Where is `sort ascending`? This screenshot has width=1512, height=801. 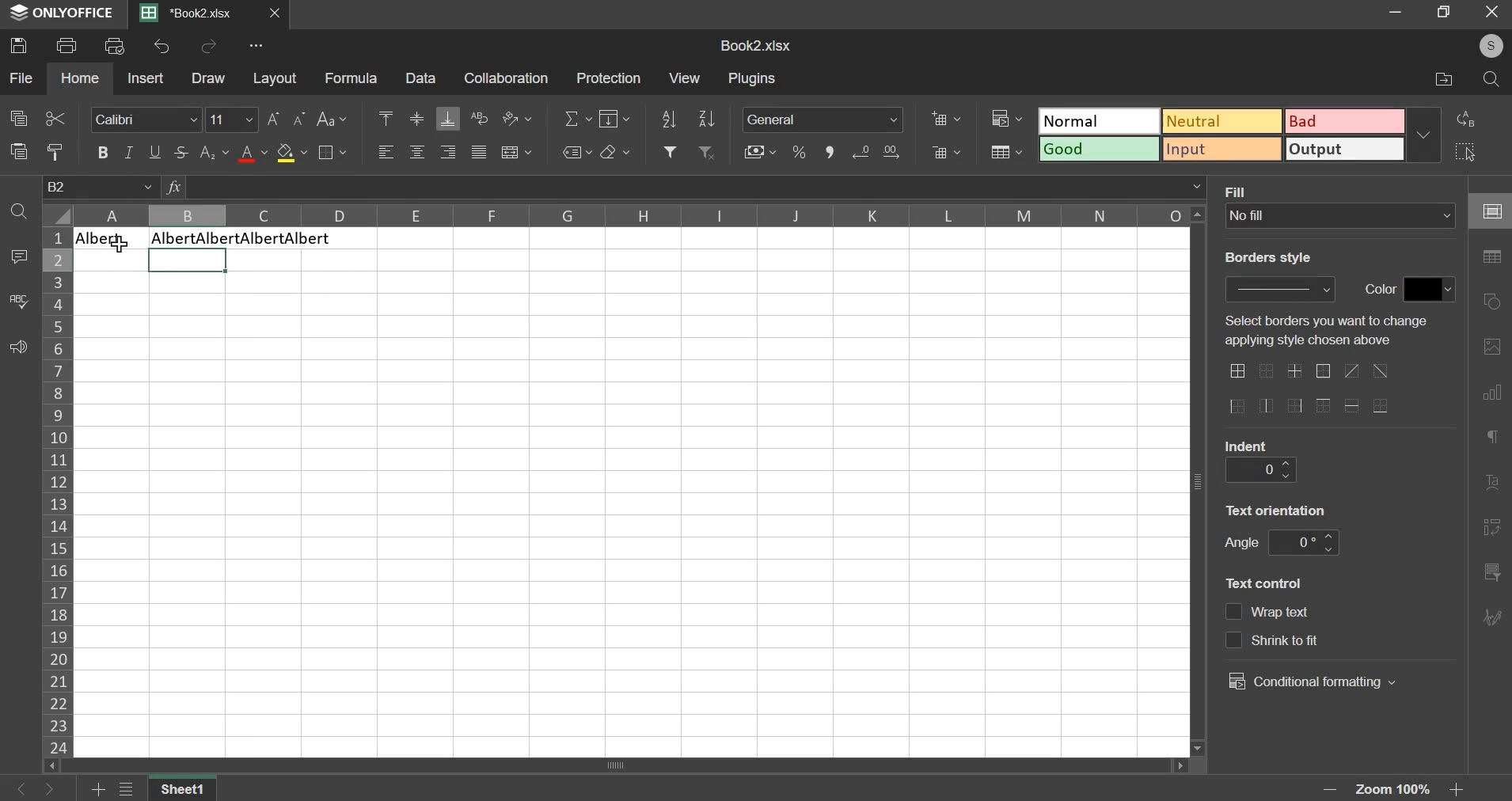 sort ascending is located at coordinates (669, 119).